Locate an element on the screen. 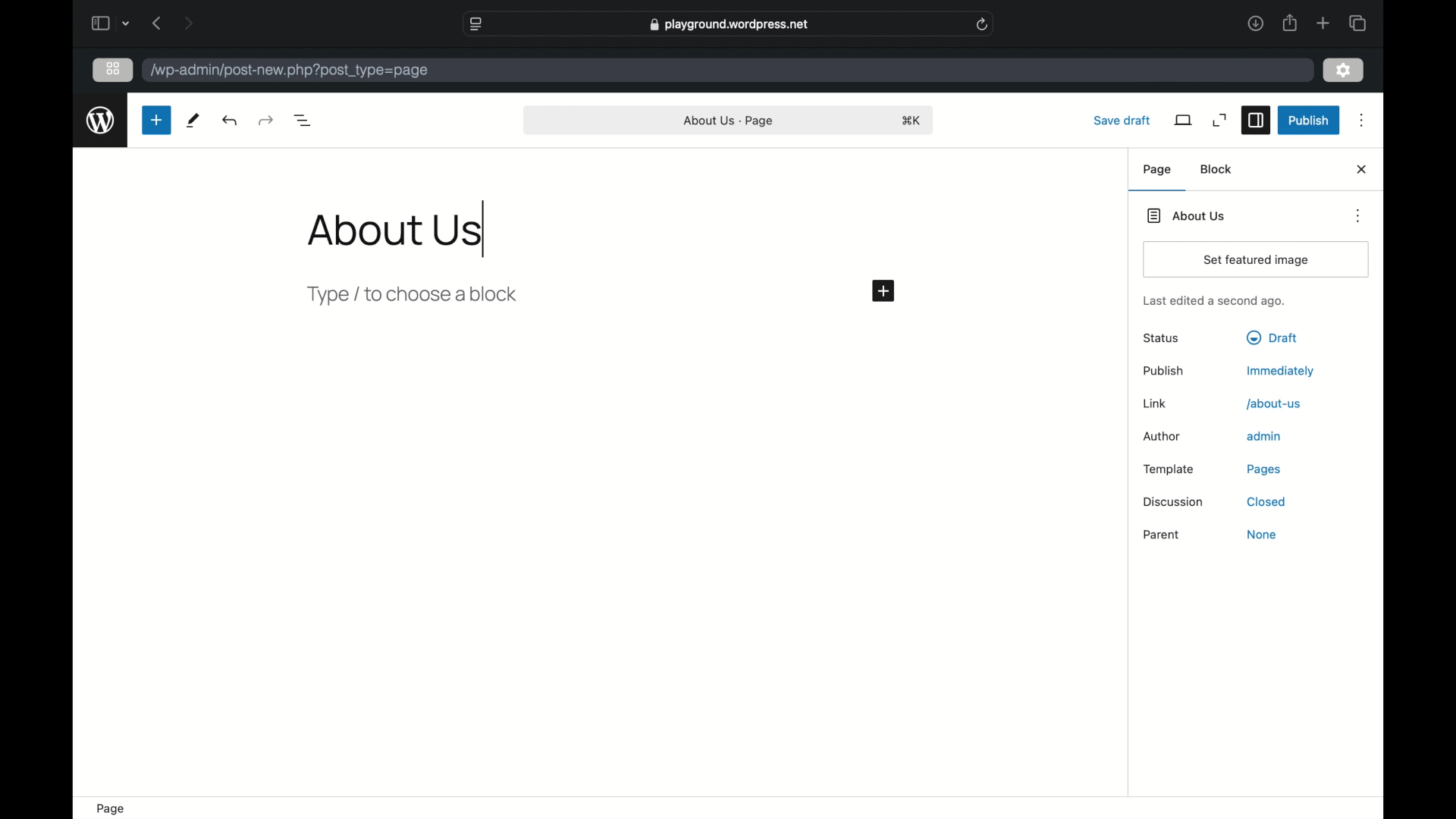  show sidebar is located at coordinates (99, 24).